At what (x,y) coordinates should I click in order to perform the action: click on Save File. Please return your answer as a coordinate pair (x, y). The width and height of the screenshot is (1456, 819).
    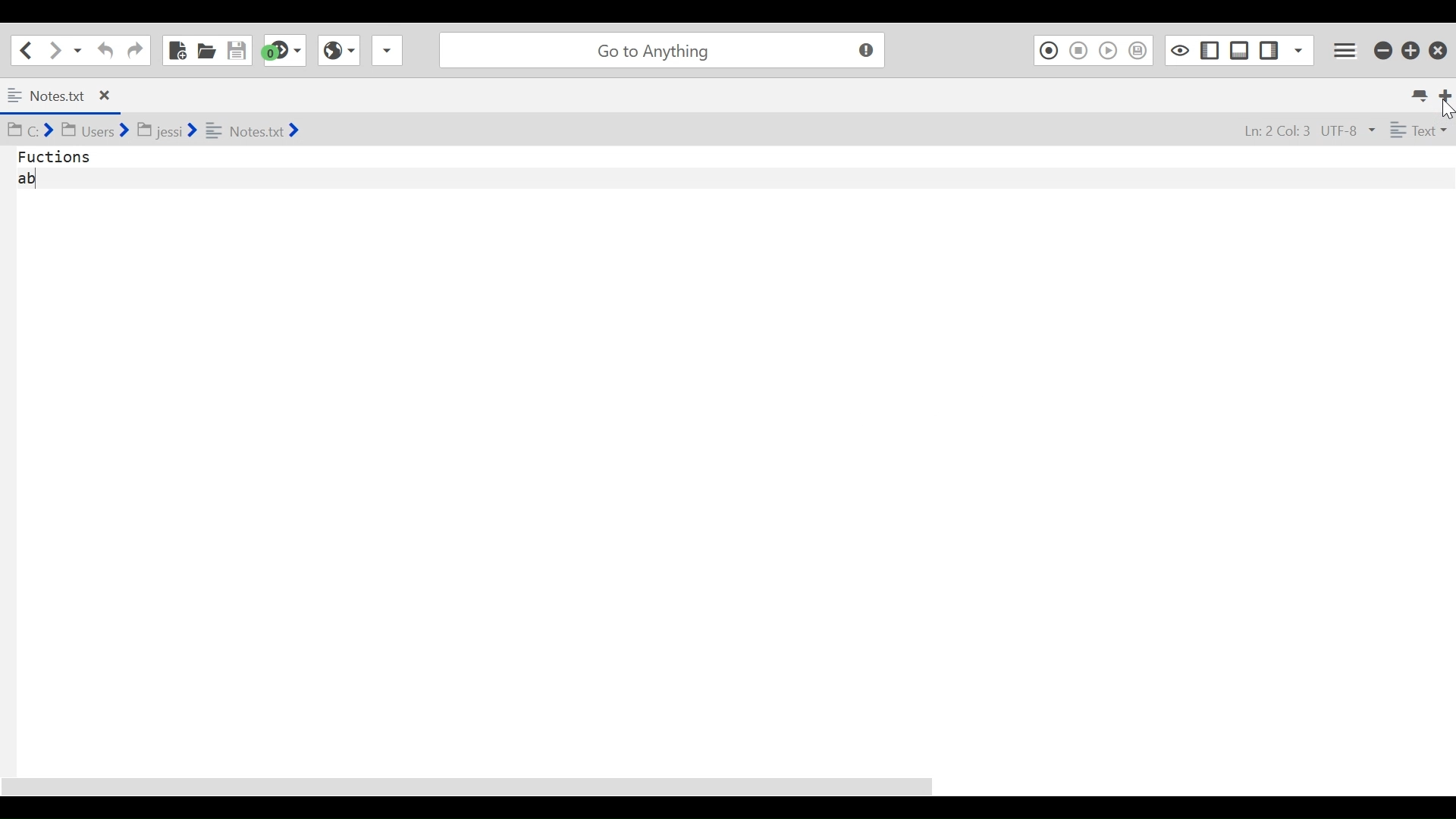
    Looking at the image, I should click on (237, 49).